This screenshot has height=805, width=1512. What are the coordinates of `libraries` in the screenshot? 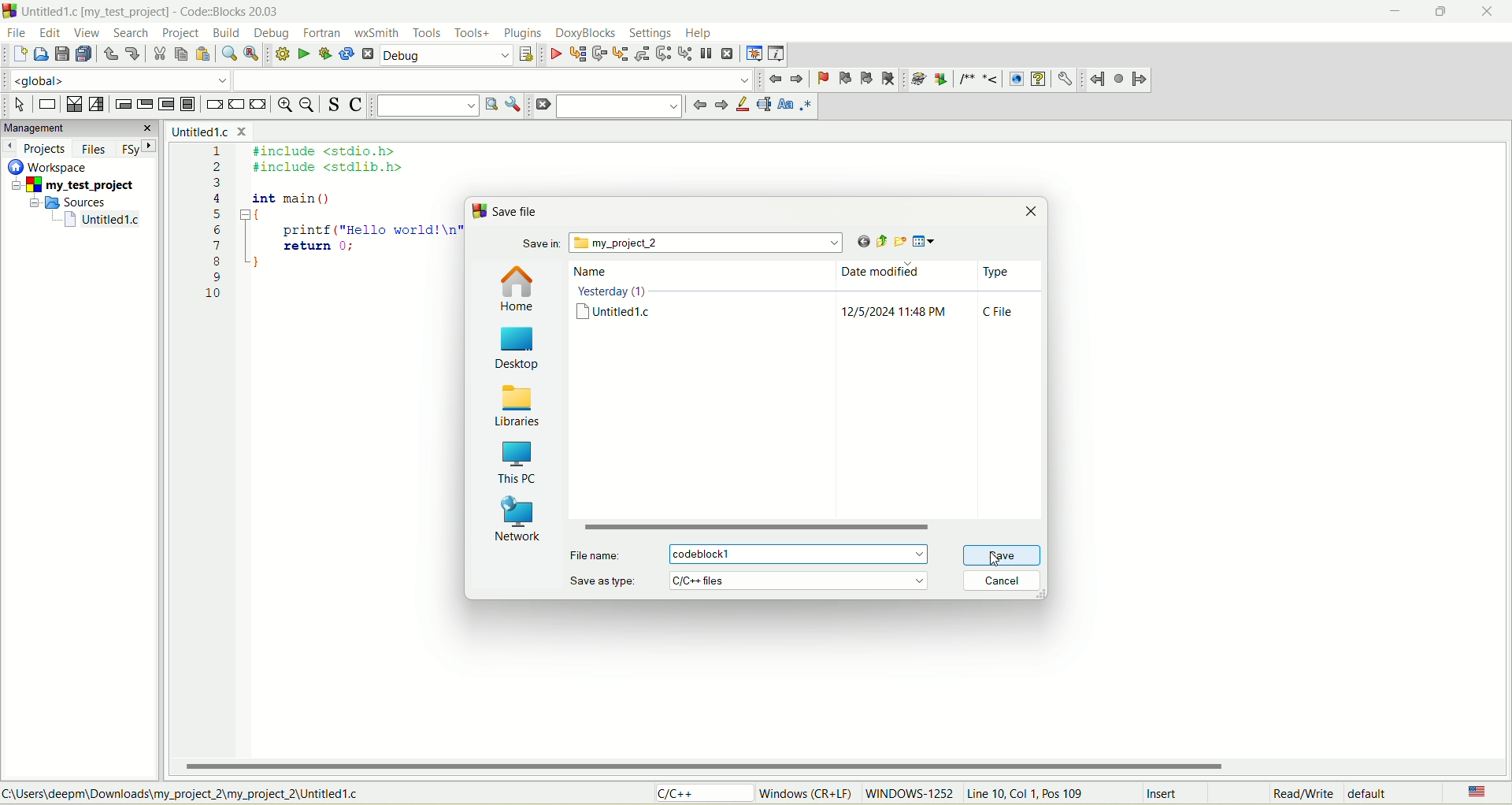 It's located at (518, 403).